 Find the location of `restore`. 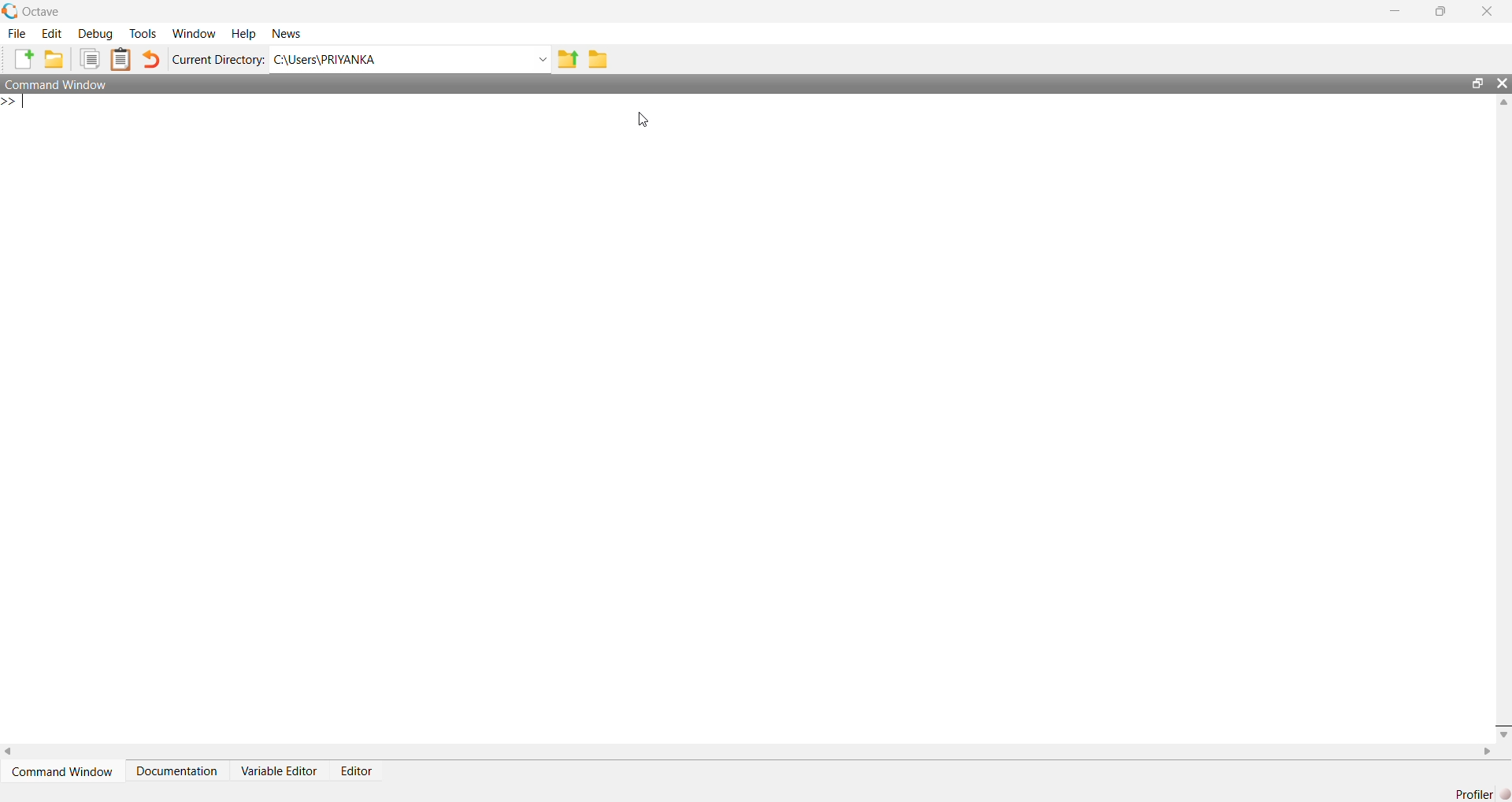

restore is located at coordinates (1478, 83).